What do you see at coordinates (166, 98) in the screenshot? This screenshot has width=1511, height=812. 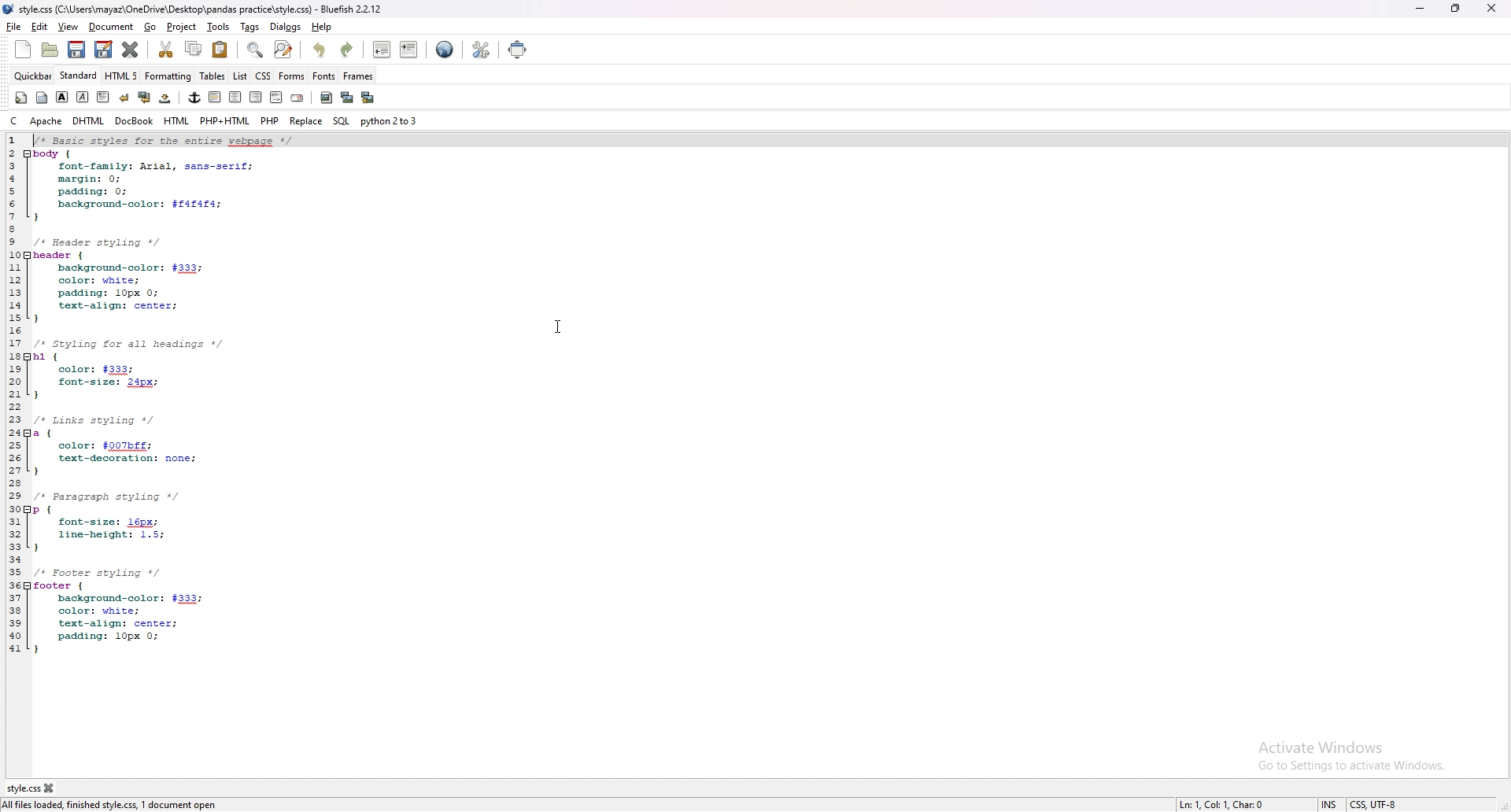 I see `non breaking space` at bounding box center [166, 98].